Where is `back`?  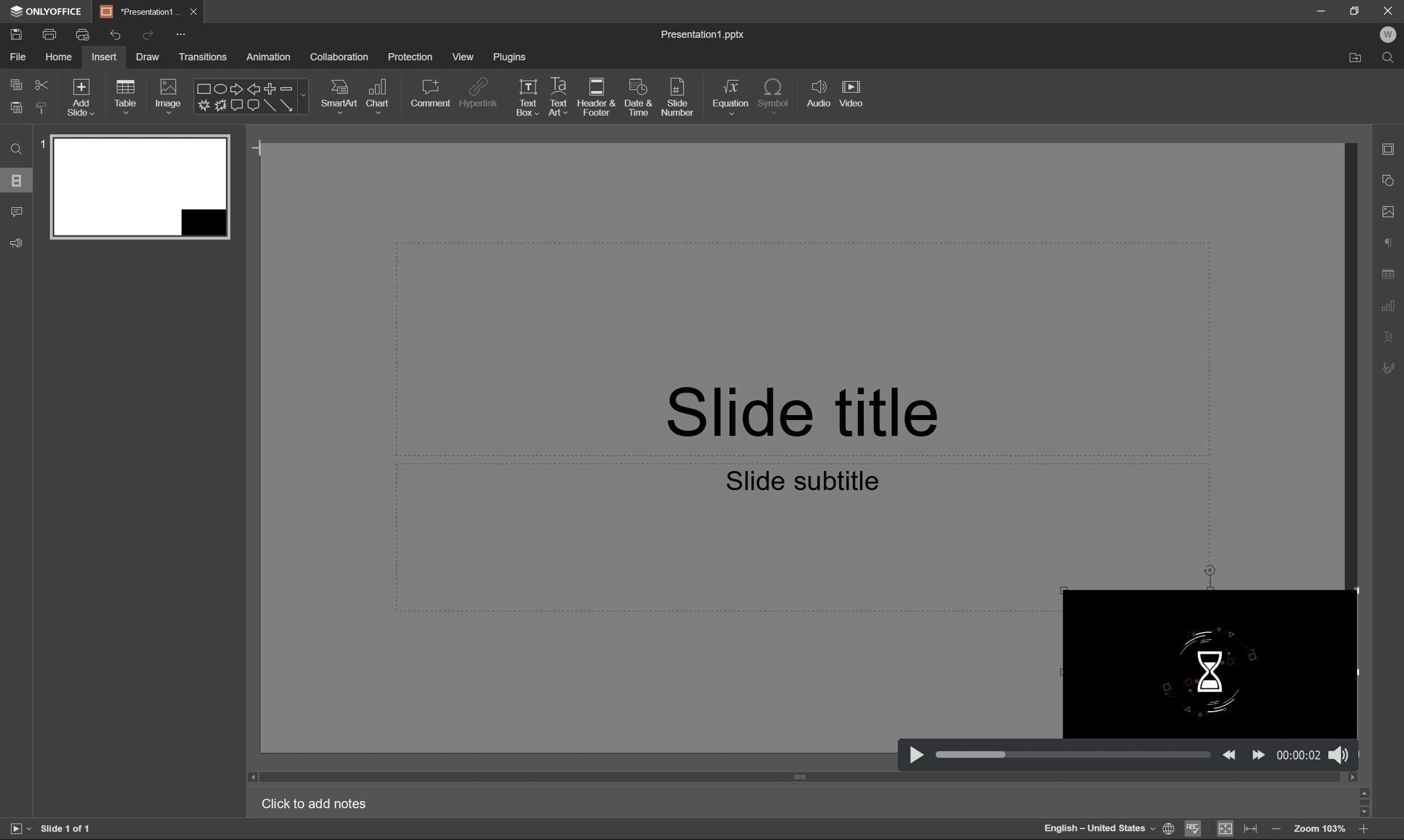 back is located at coordinates (1230, 753).